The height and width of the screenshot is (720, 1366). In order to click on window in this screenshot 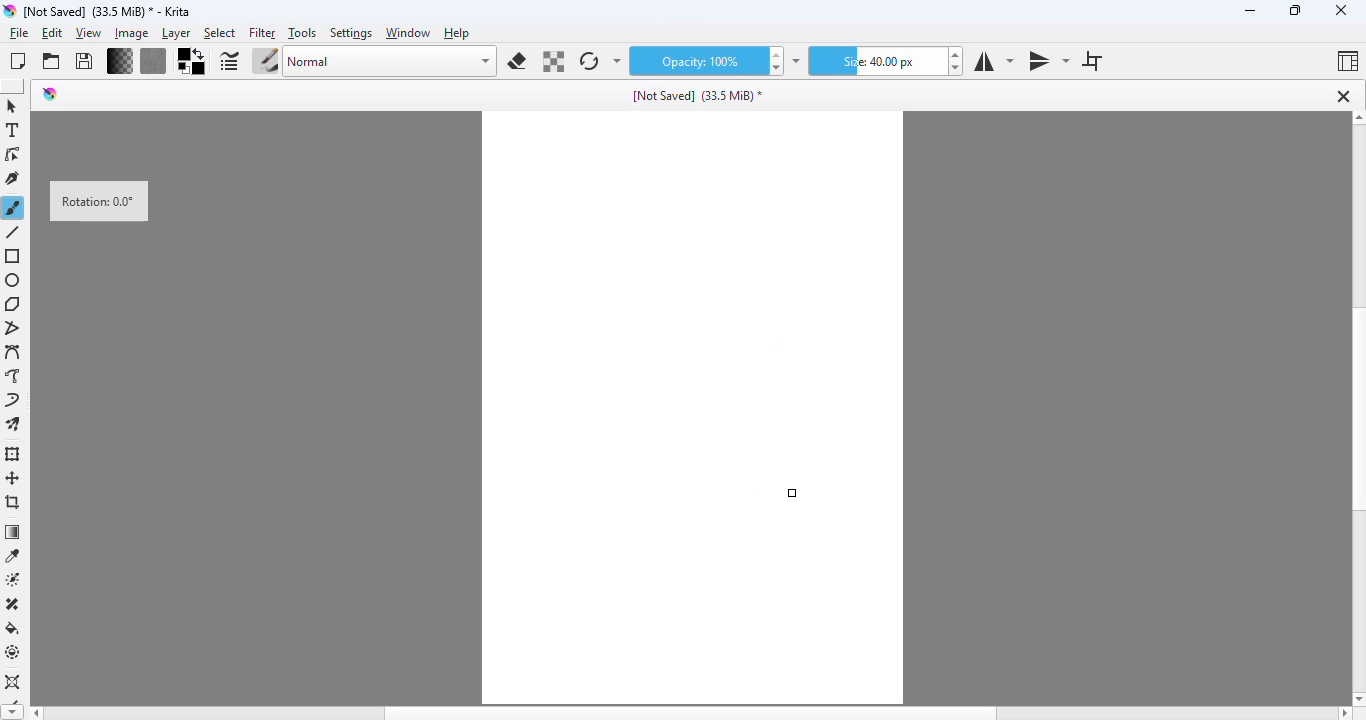, I will do `click(409, 33)`.